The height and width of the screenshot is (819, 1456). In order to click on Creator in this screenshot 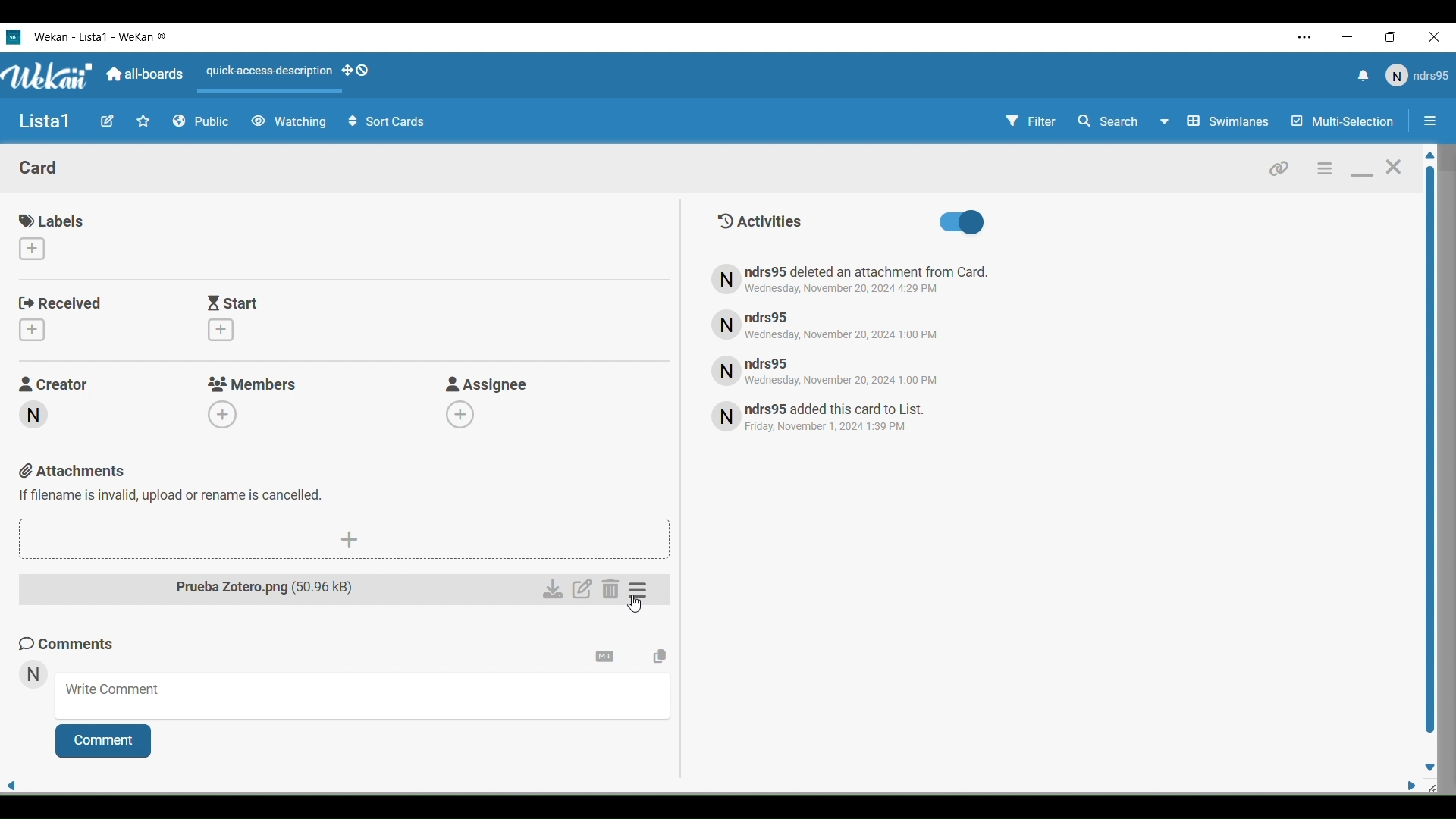, I will do `click(32, 415)`.